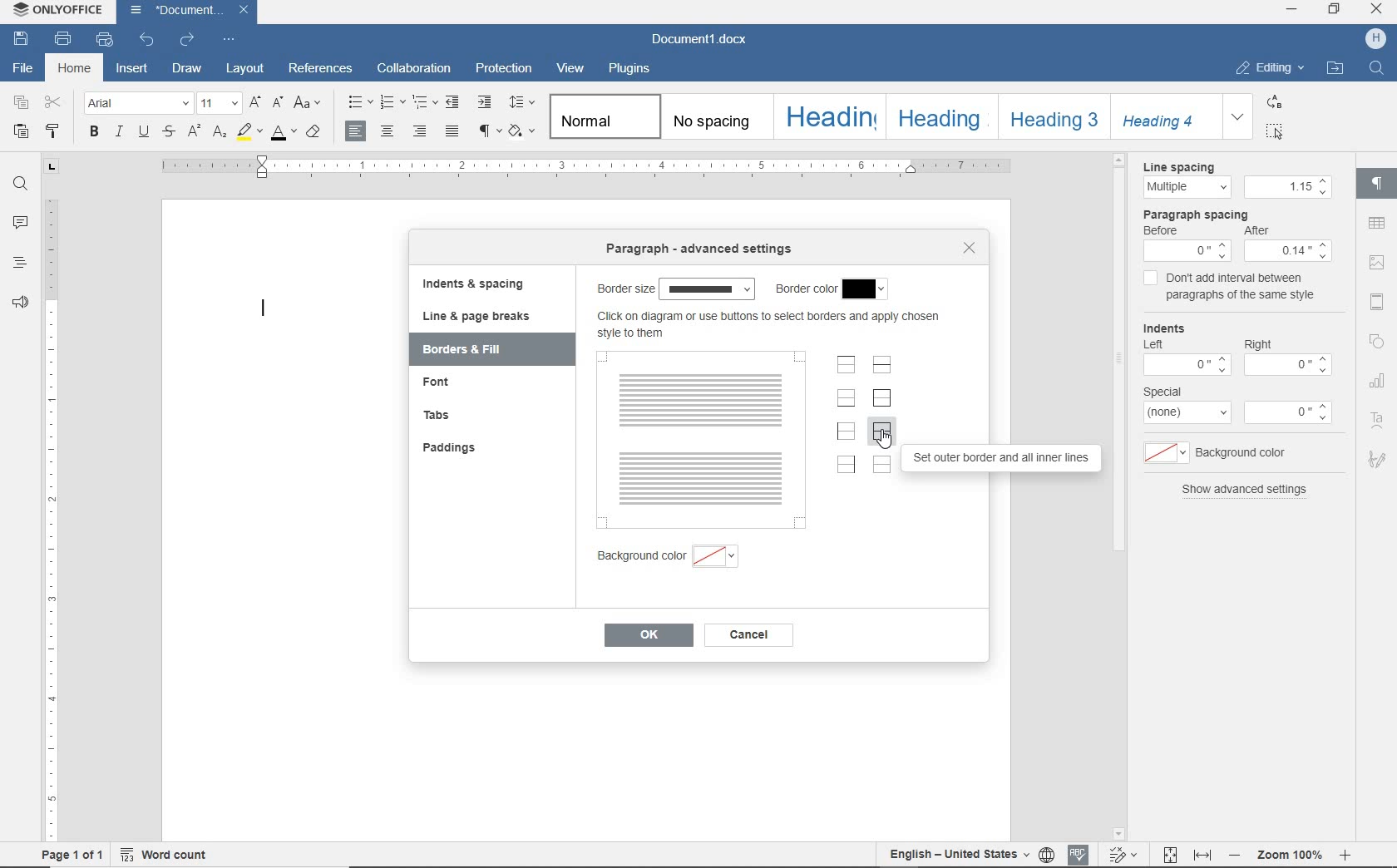  Describe the element at coordinates (1375, 263) in the screenshot. I see `image` at that location.